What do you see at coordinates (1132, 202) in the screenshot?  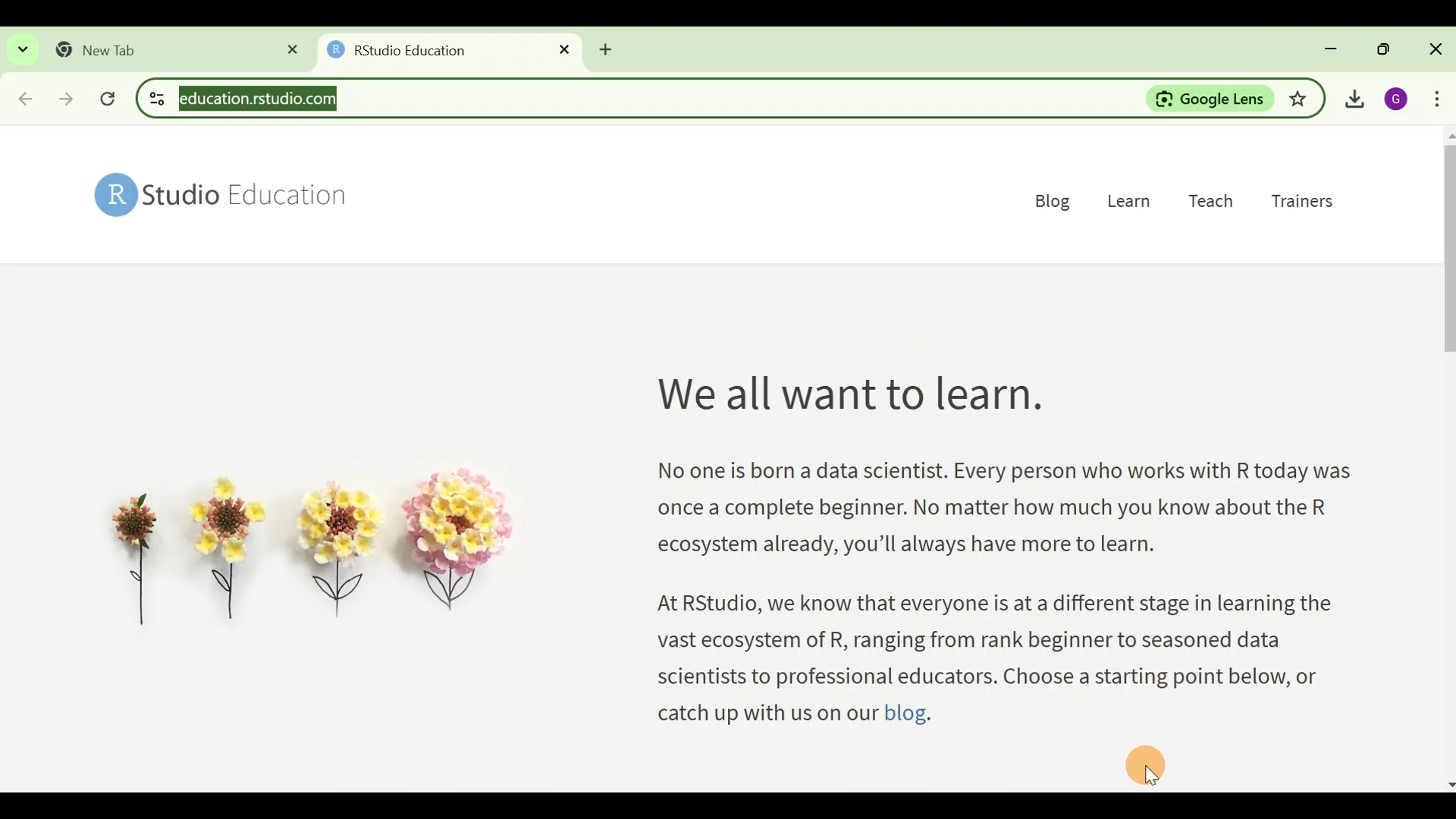 I see `Learn` at bounding box center [1132, 202].